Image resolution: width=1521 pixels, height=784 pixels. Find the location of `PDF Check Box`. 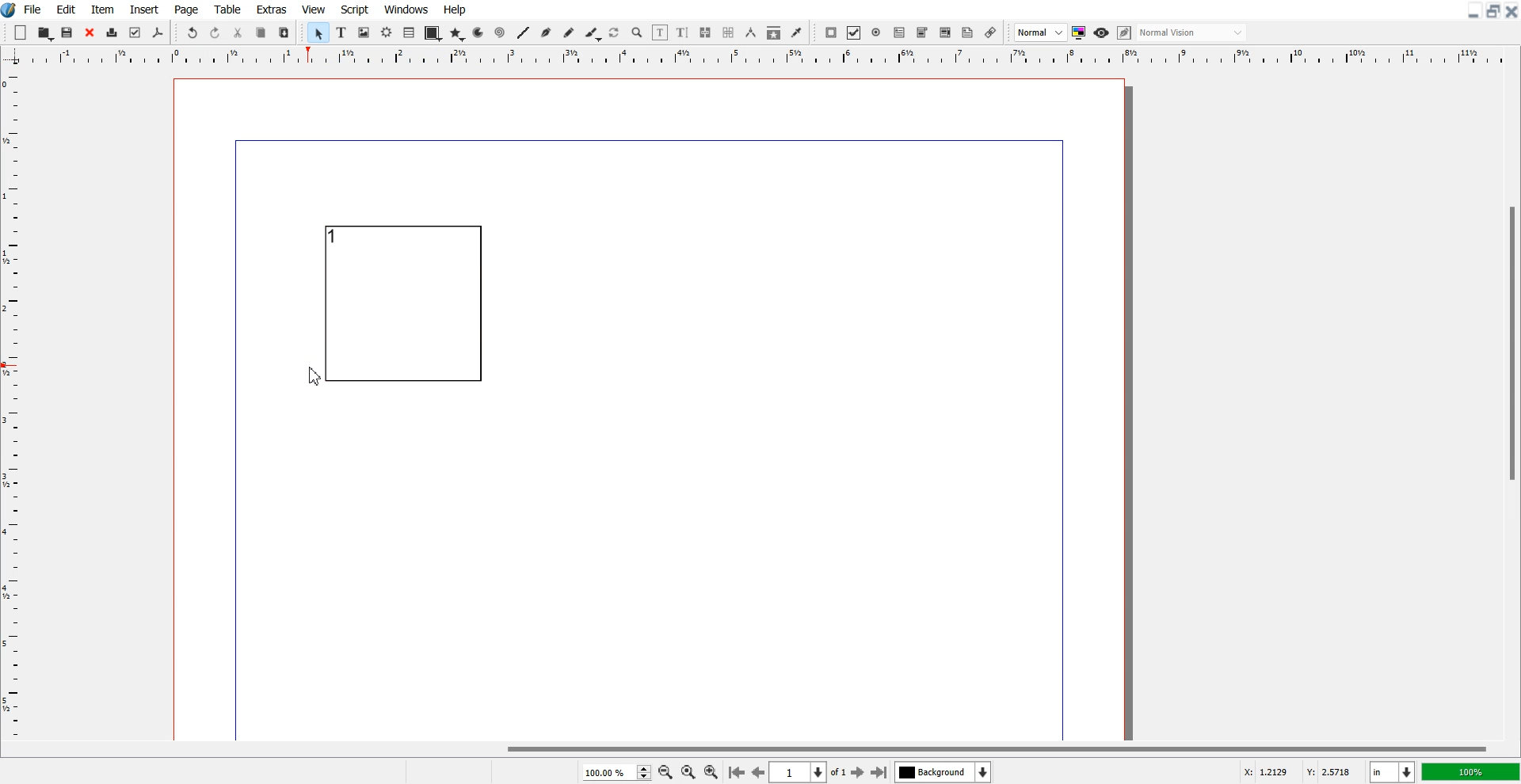

PDF Check Box is located at coordinates (854, 33).